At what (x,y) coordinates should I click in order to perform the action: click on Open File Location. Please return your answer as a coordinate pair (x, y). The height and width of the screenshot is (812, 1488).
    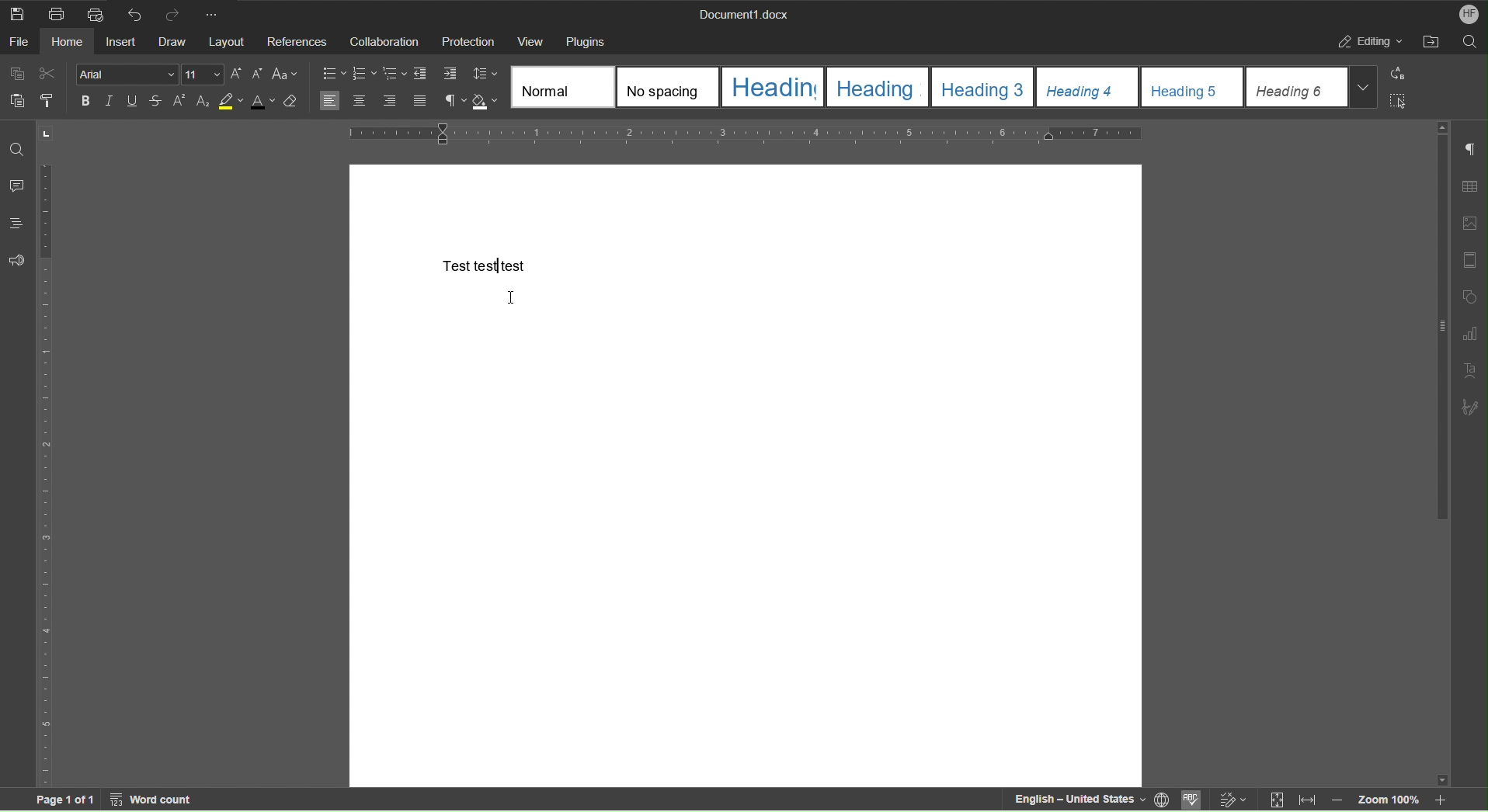
    Looking at the image, I should click on (1430, 41).